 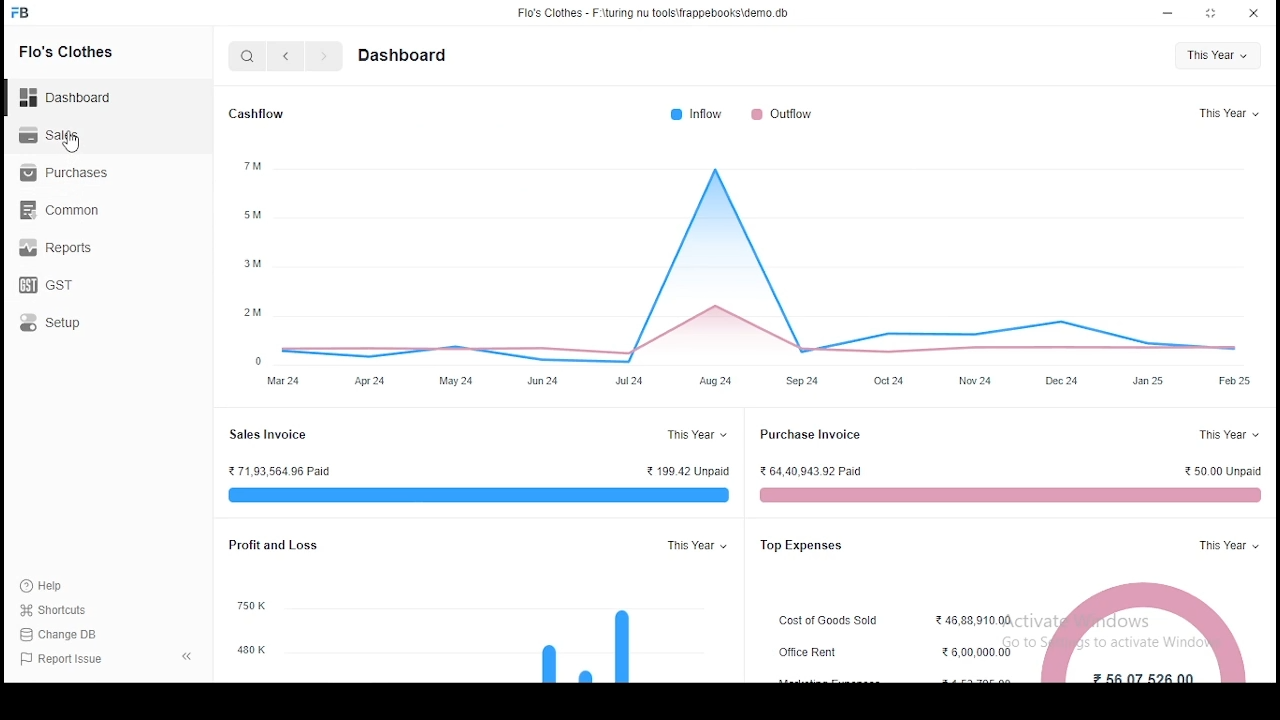 I want to click on 50.00 Unpaid, so click(x=1223, y=470).